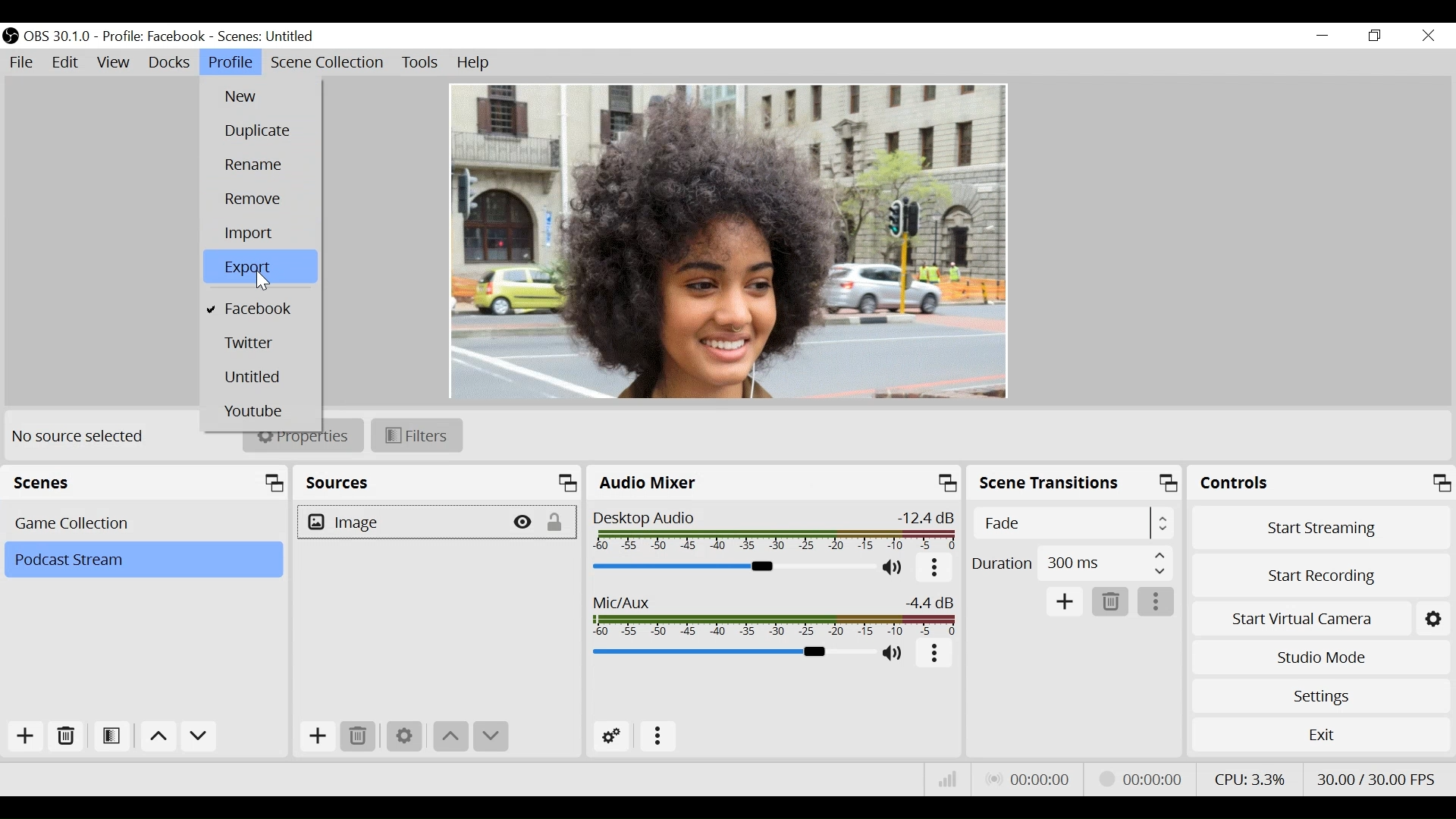 This screenshot has height=819, width=1456. What do you see at coordinates (328, 63) in the screenshot?
I see `Scene Collection` at bounding box center [328, 63].